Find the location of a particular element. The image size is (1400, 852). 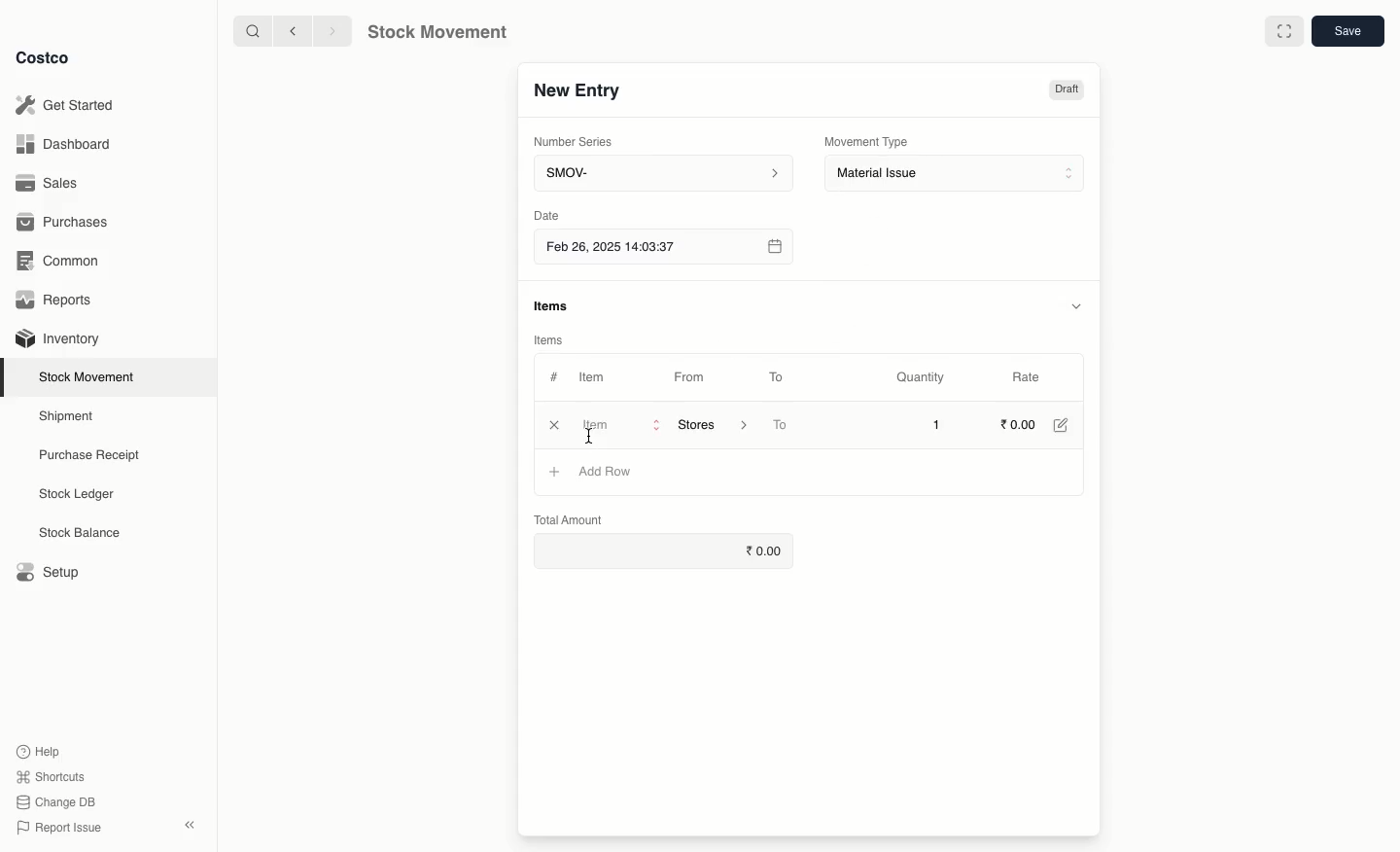

Stock Balance is located at coordinates (82, 533).